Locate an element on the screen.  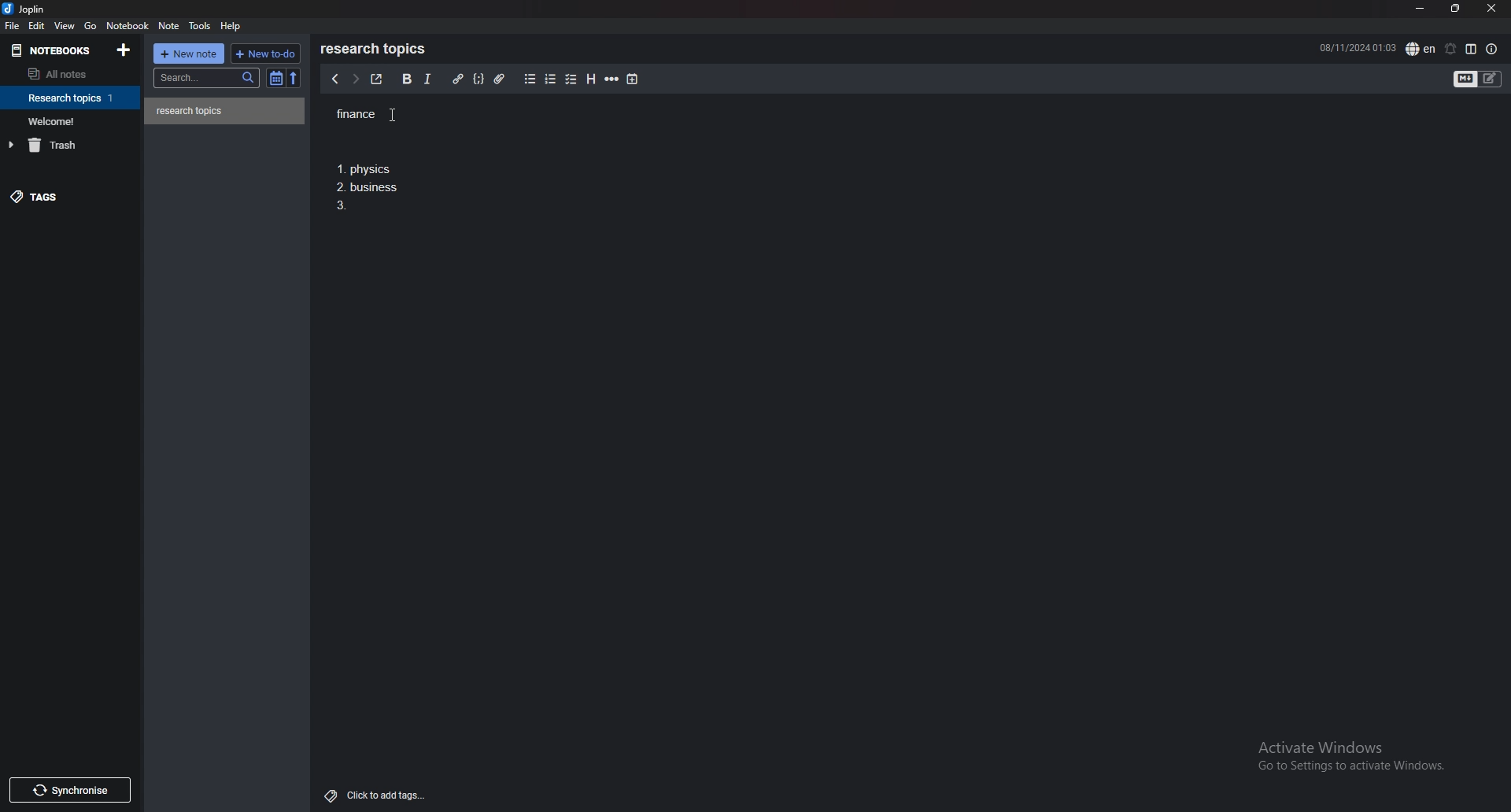
go is located at coordinates (90, 26).